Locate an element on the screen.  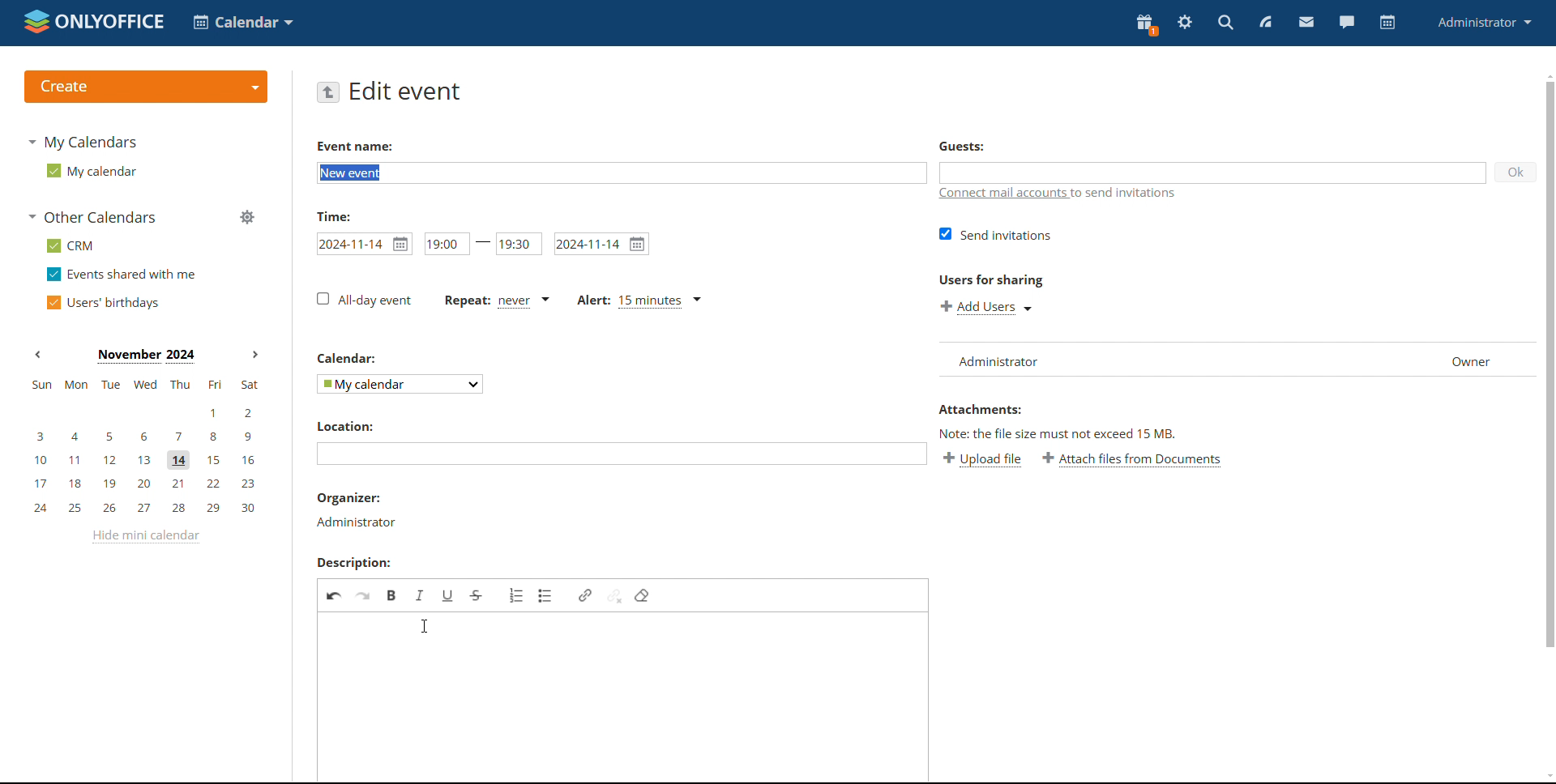
typing cursor is located at coordinates (425, 627).